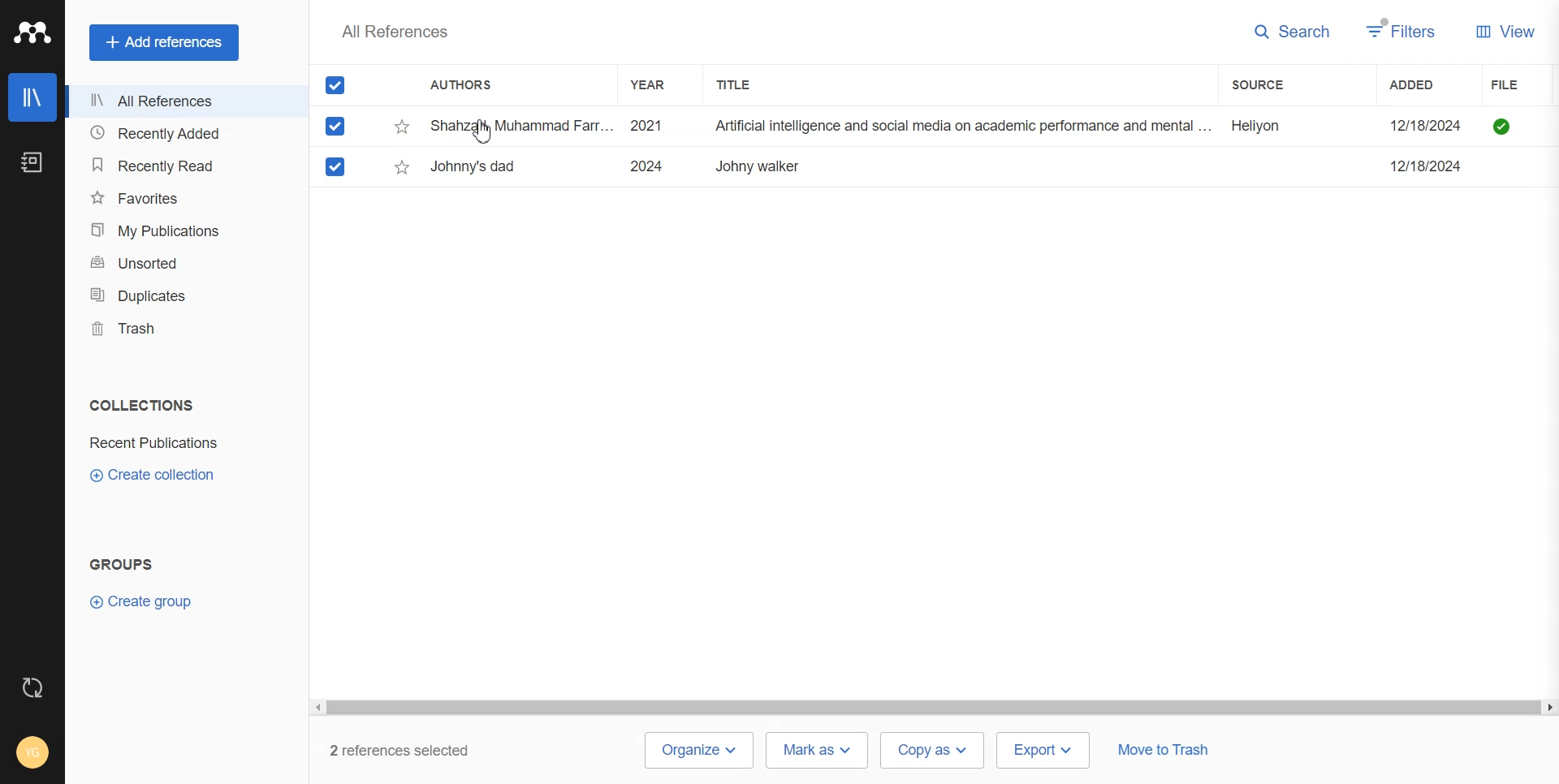 This screenshot has height=784, width=1559. Describe the element at coordinates (122, 564) in the screenshot. I see `Text 2` at that location.